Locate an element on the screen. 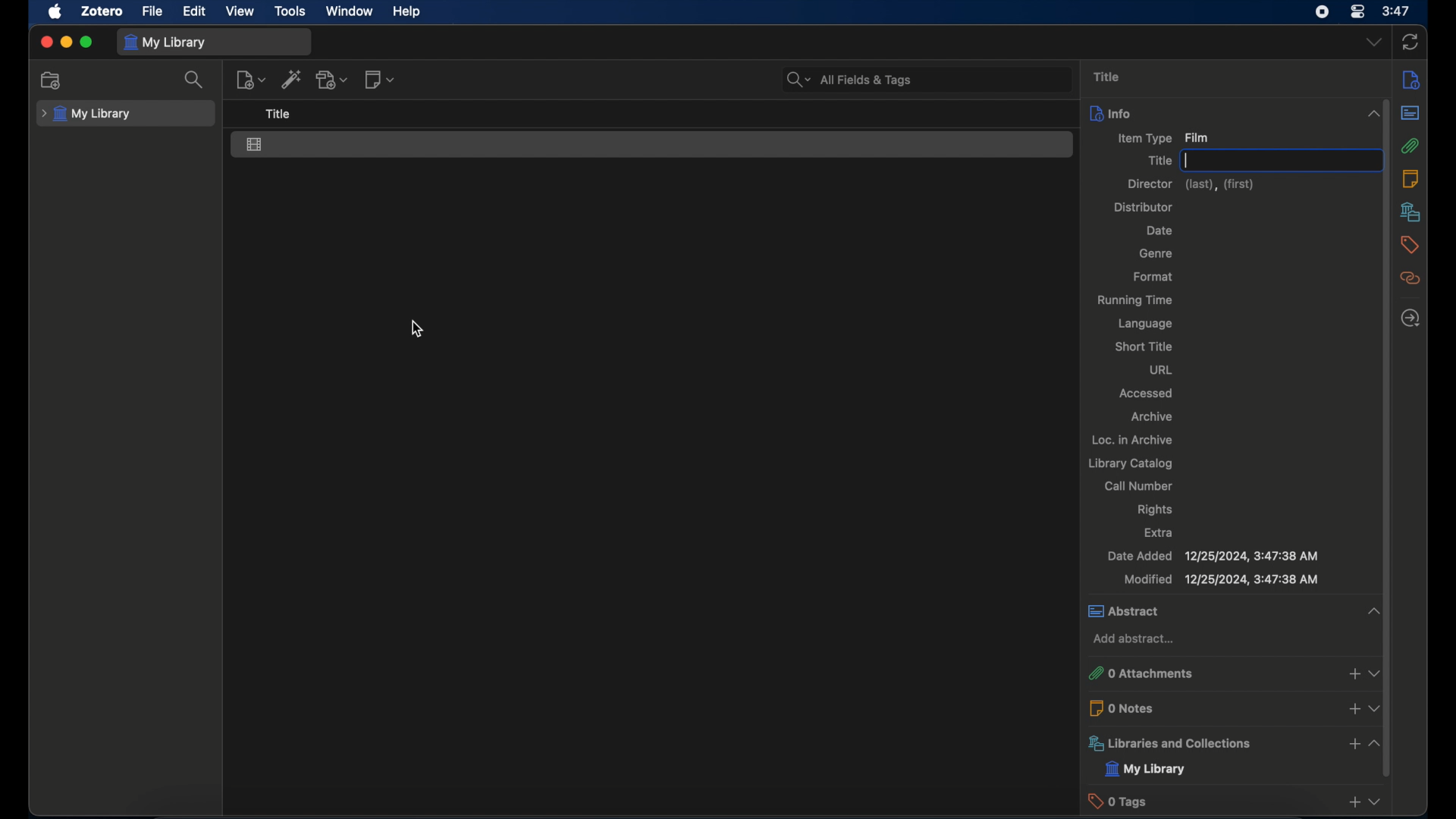 The width and height of the screenshot is (1456, 819). extra is located at coordinates (1159, 533).